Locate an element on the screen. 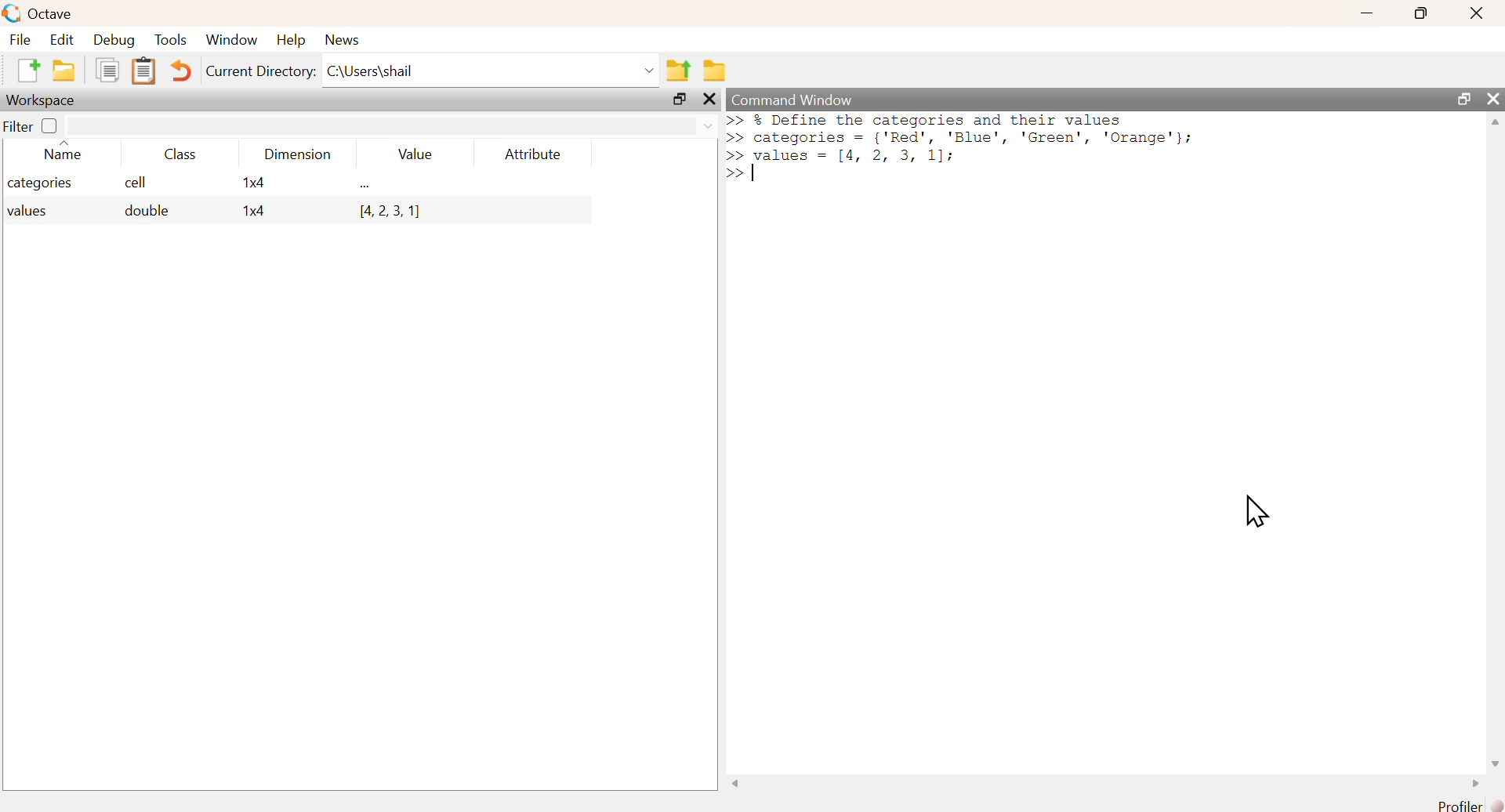  Debug is located at coordinates (114, 40).